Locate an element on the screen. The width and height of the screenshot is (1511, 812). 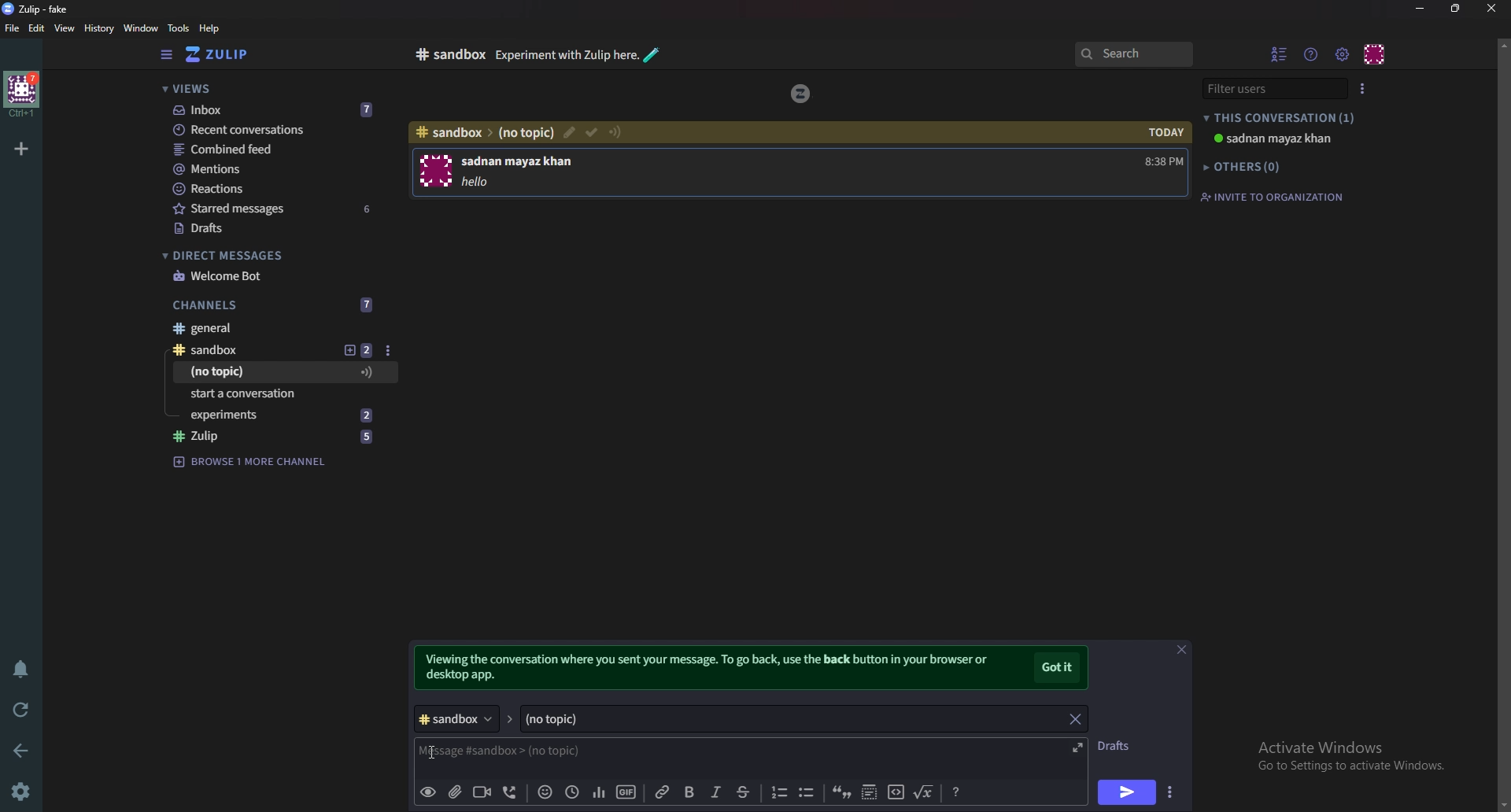
Add organization is located at coordinates (22, 149).